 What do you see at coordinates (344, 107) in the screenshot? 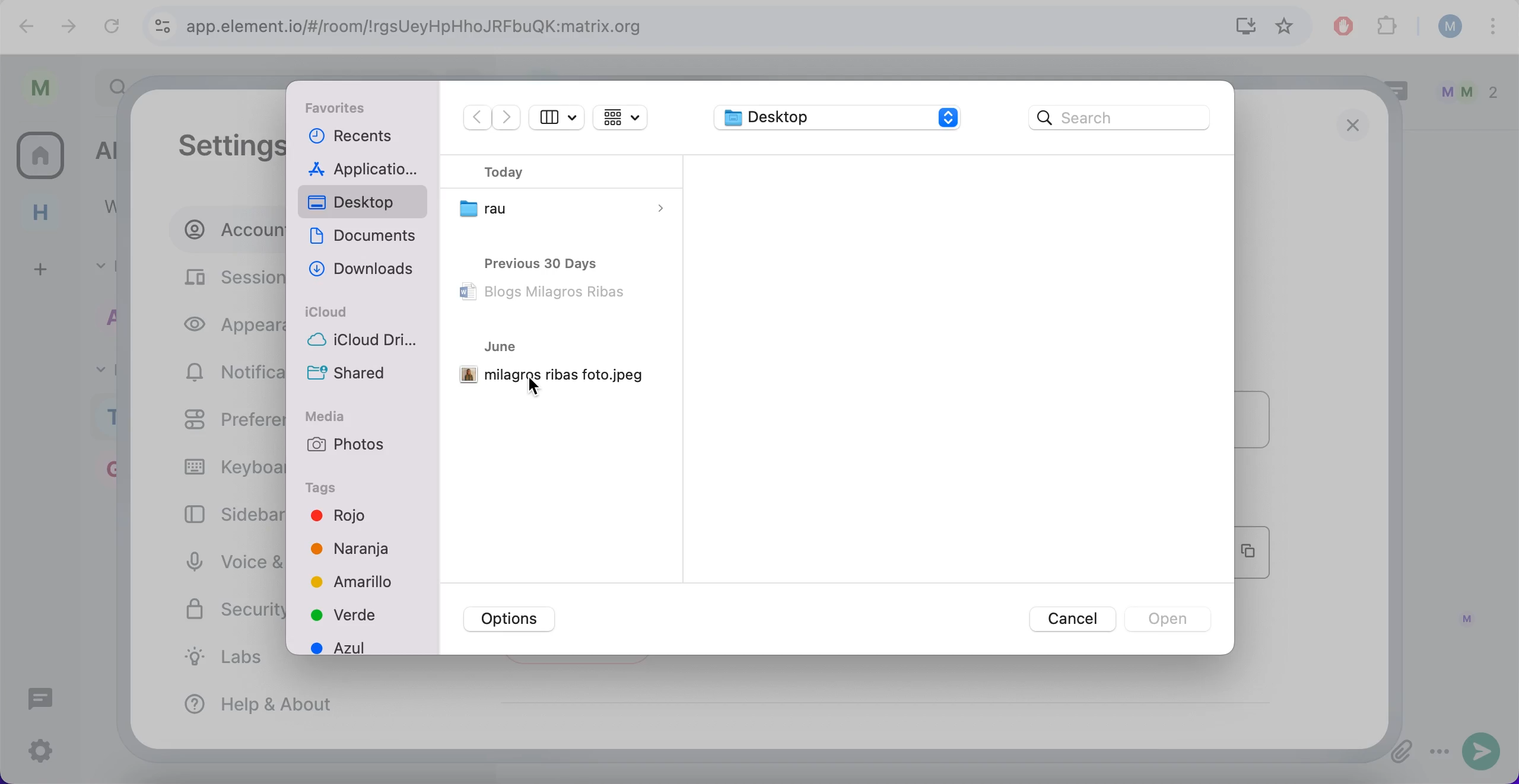
I see `favorites` at bounding box center [344, 107].